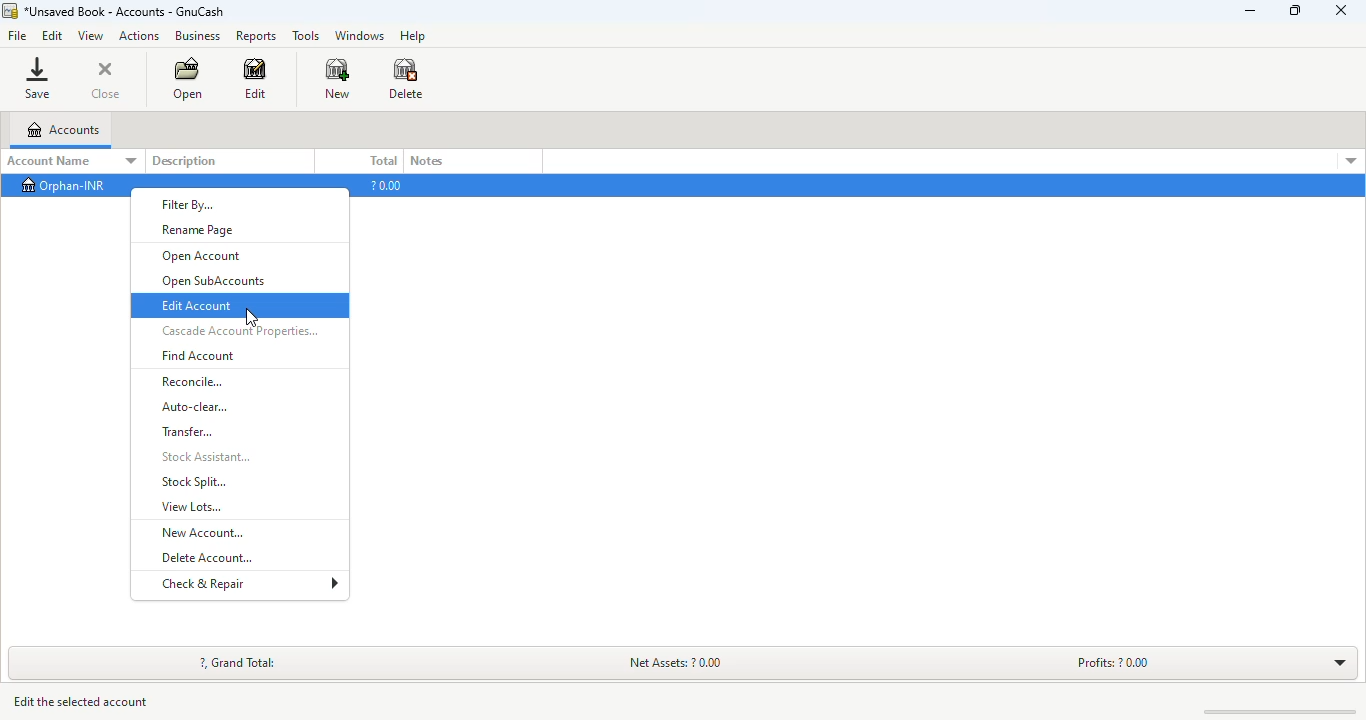 This screenshot has width=1366, height=720. I want to click on account details, so click(1351, 162).